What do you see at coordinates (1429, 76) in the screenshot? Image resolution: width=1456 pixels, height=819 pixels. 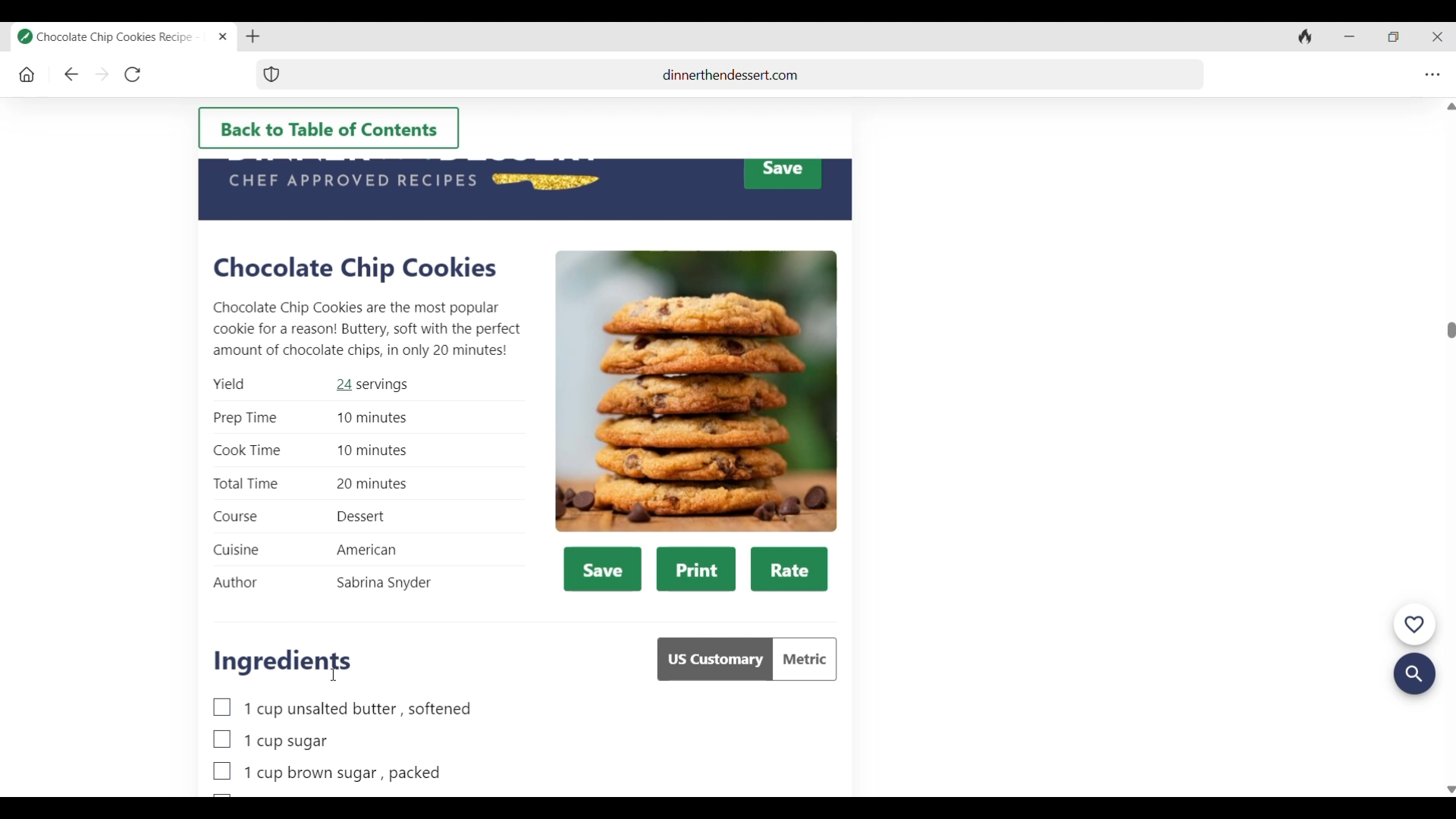 I see `Browser settings` at bounding box center [1429, 76].